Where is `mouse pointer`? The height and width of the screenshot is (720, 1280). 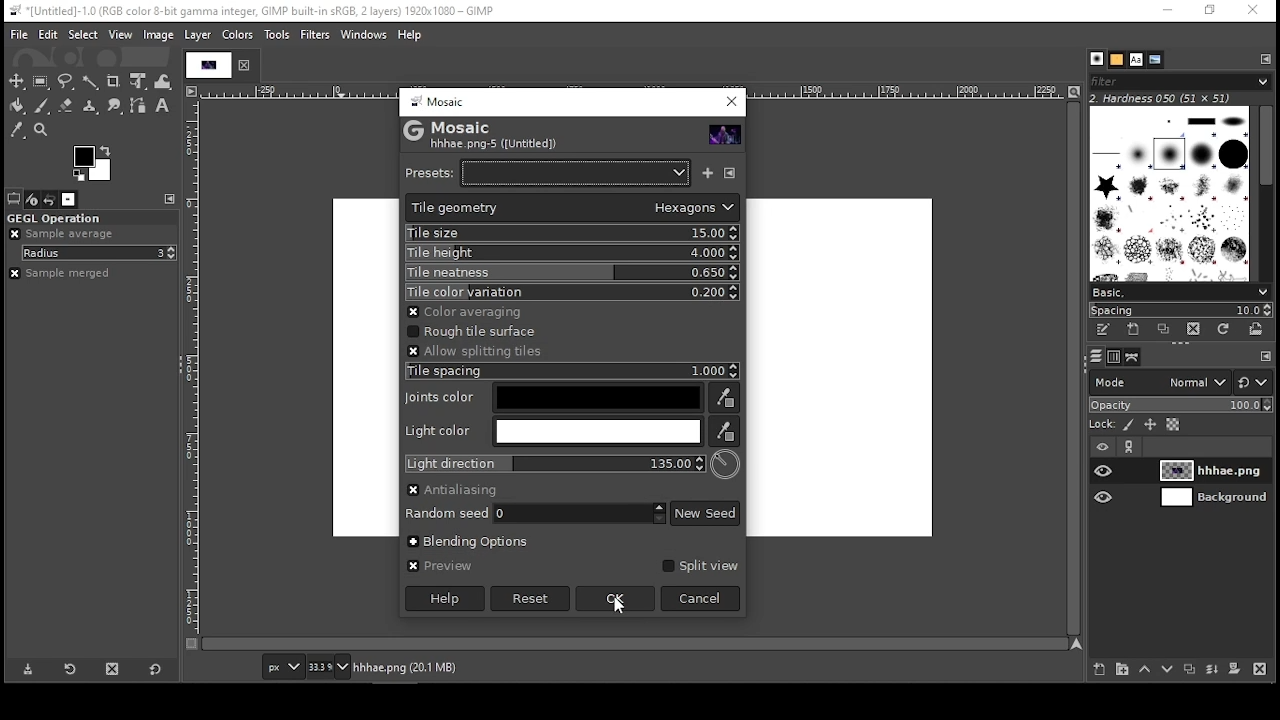 mouse pointer is located at coordinates (619, 606).